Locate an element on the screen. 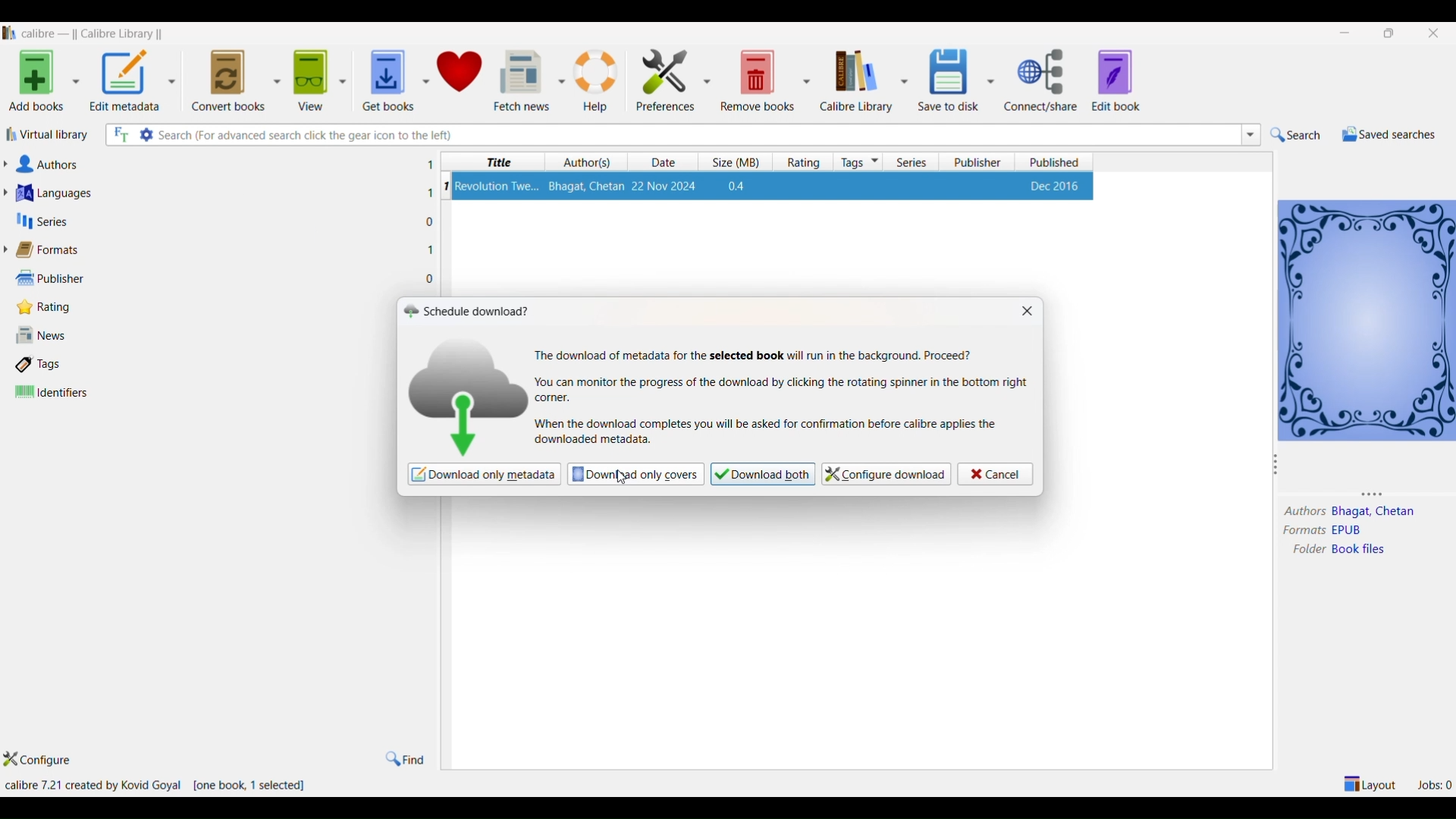 This screenshot has width=1456, height=819. view options dropdown button is located at coordinates (340, 75).